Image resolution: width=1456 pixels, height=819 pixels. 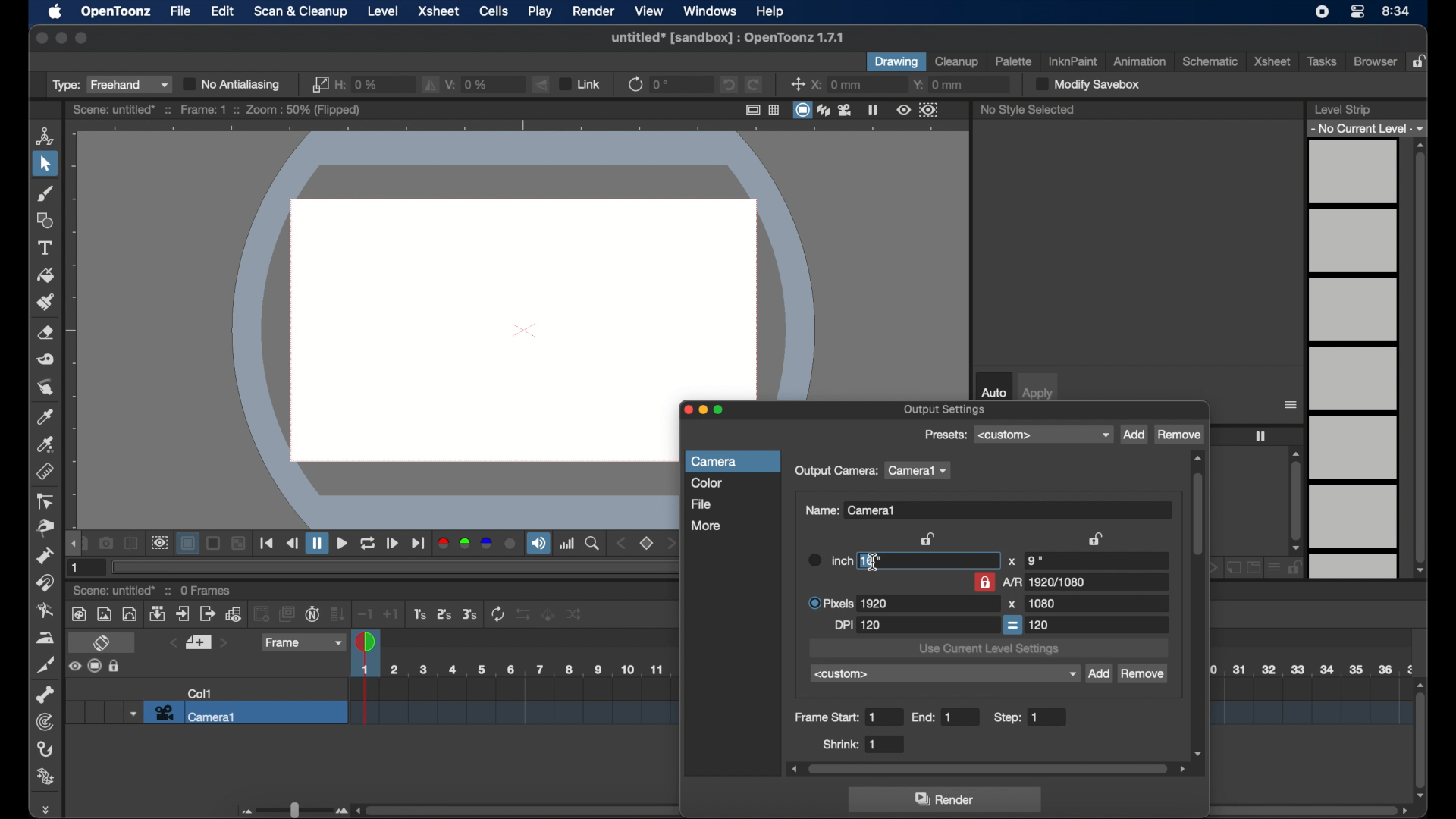 What do you see at coordinates (824, 110) in the screenshot?
I see `view modes` at bounding box center [824, 110].